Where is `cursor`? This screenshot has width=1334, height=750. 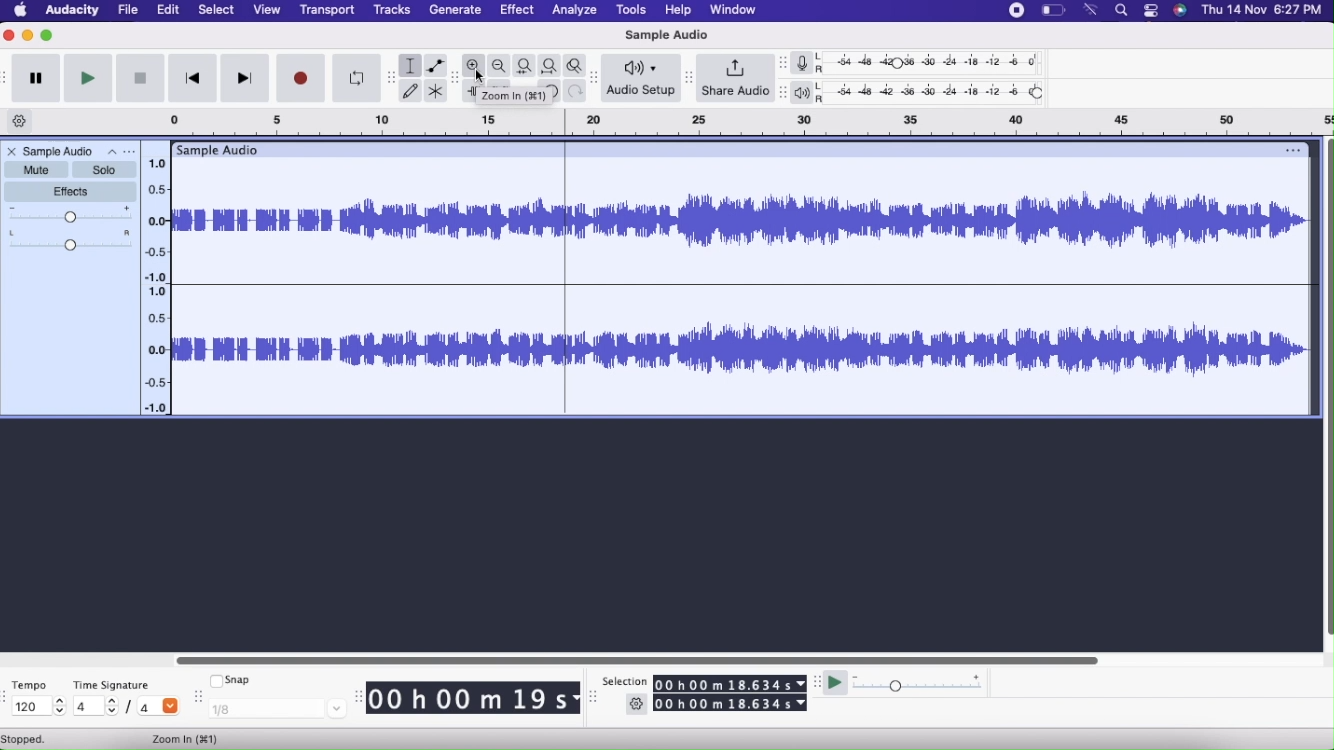 cursor is located at coordinates (480, 77).